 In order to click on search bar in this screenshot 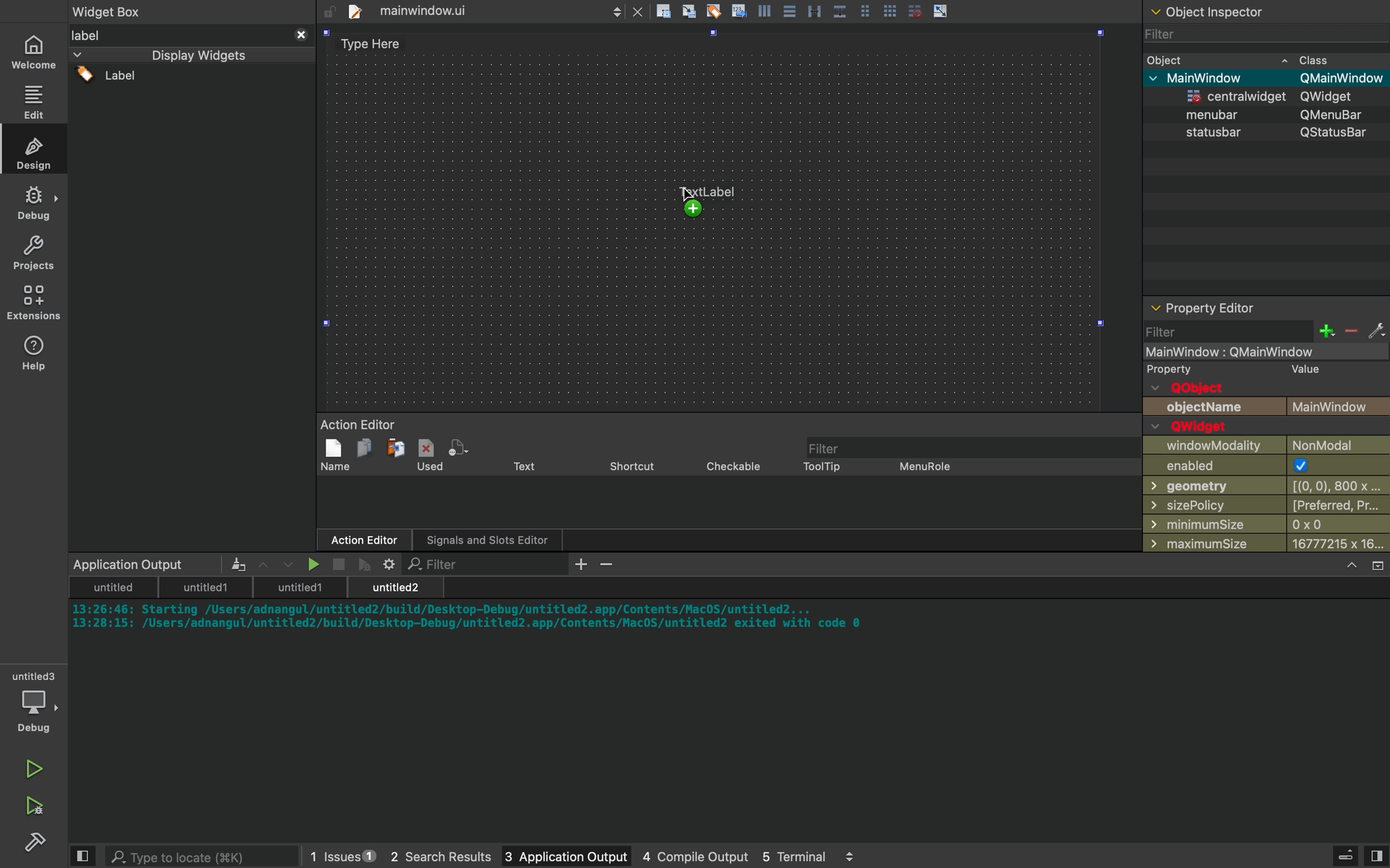, I will do `click(188, 856)`.